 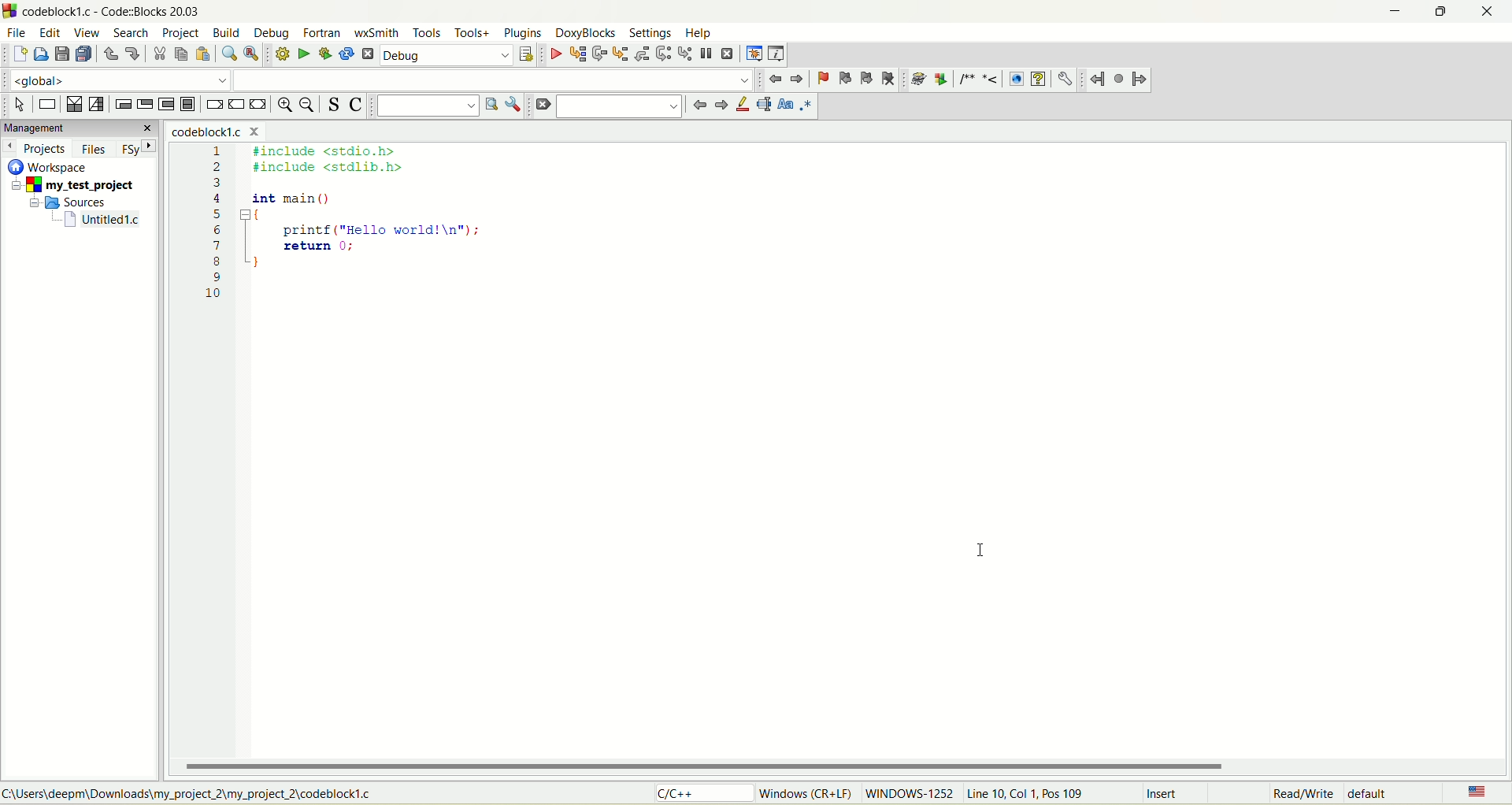 I want to click on next bookmark, so click(x=867, y=79).